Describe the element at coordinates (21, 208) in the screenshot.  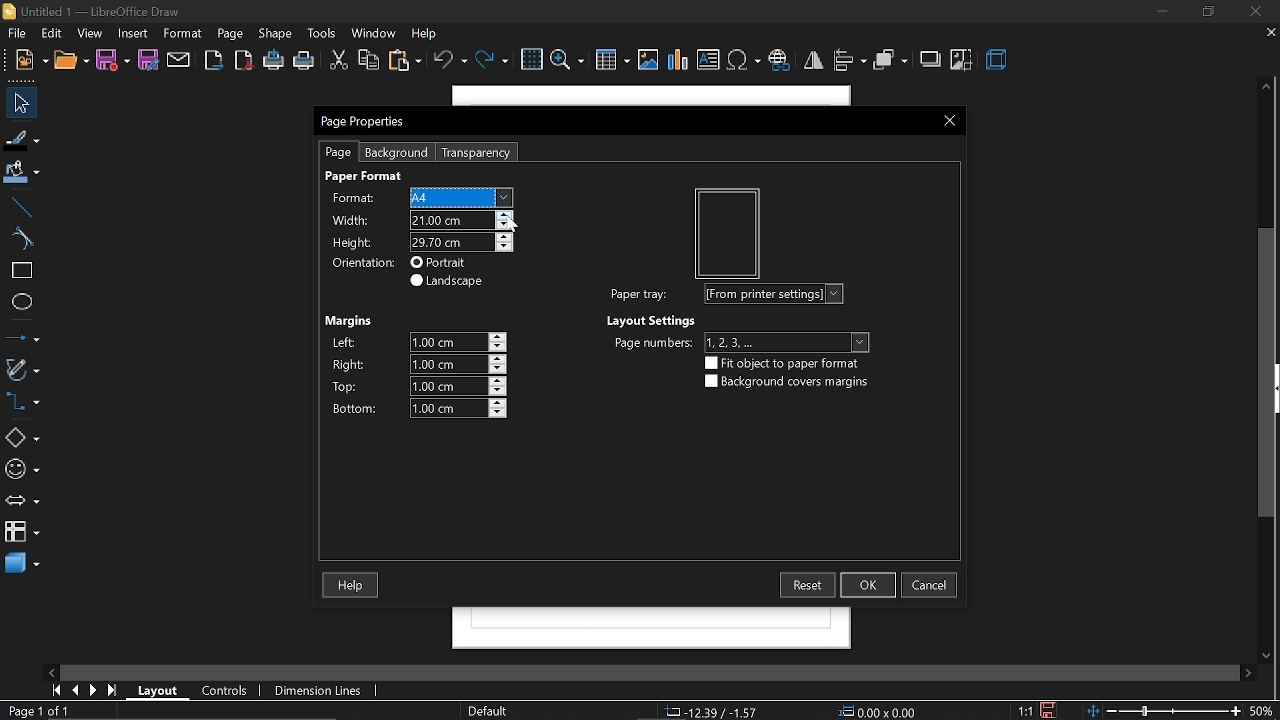
I see `line` at that location.